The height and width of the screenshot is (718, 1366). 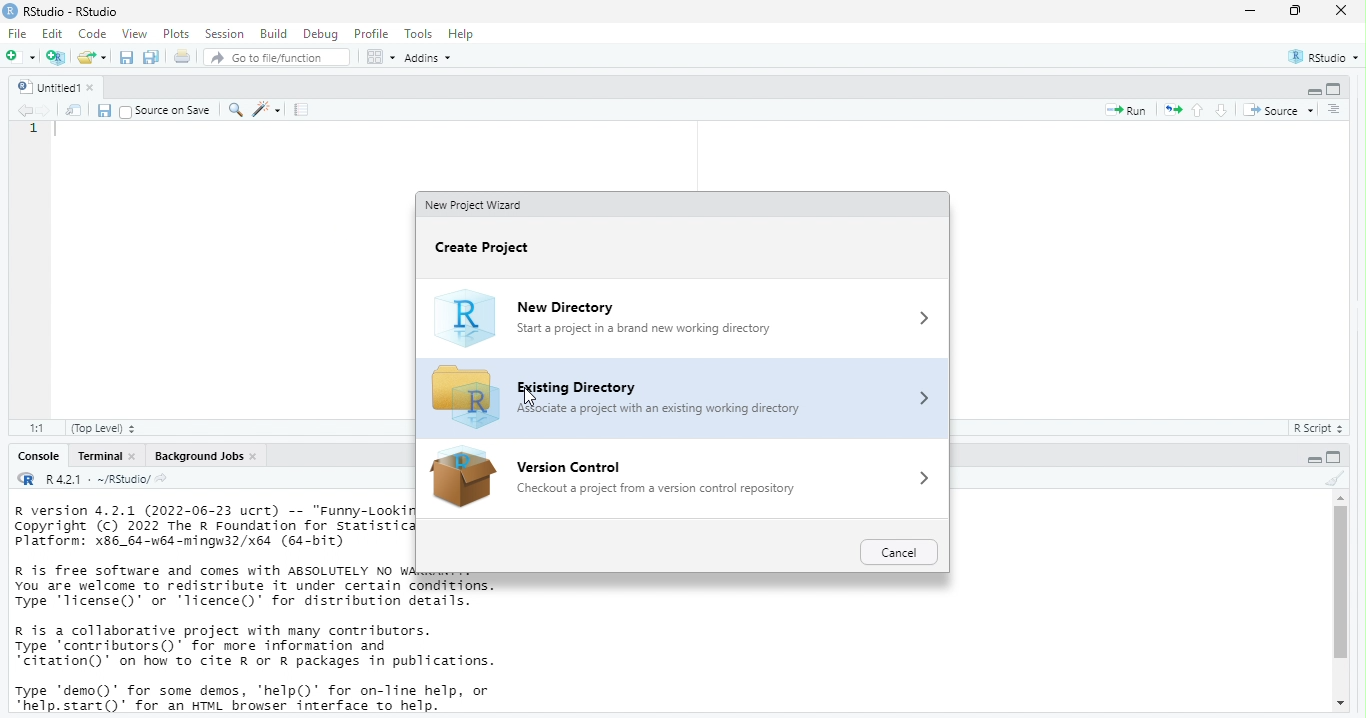 What do you see at coordinates (177, 33) in the screenshot?
I see `plots` at bounding box center [177, 33].